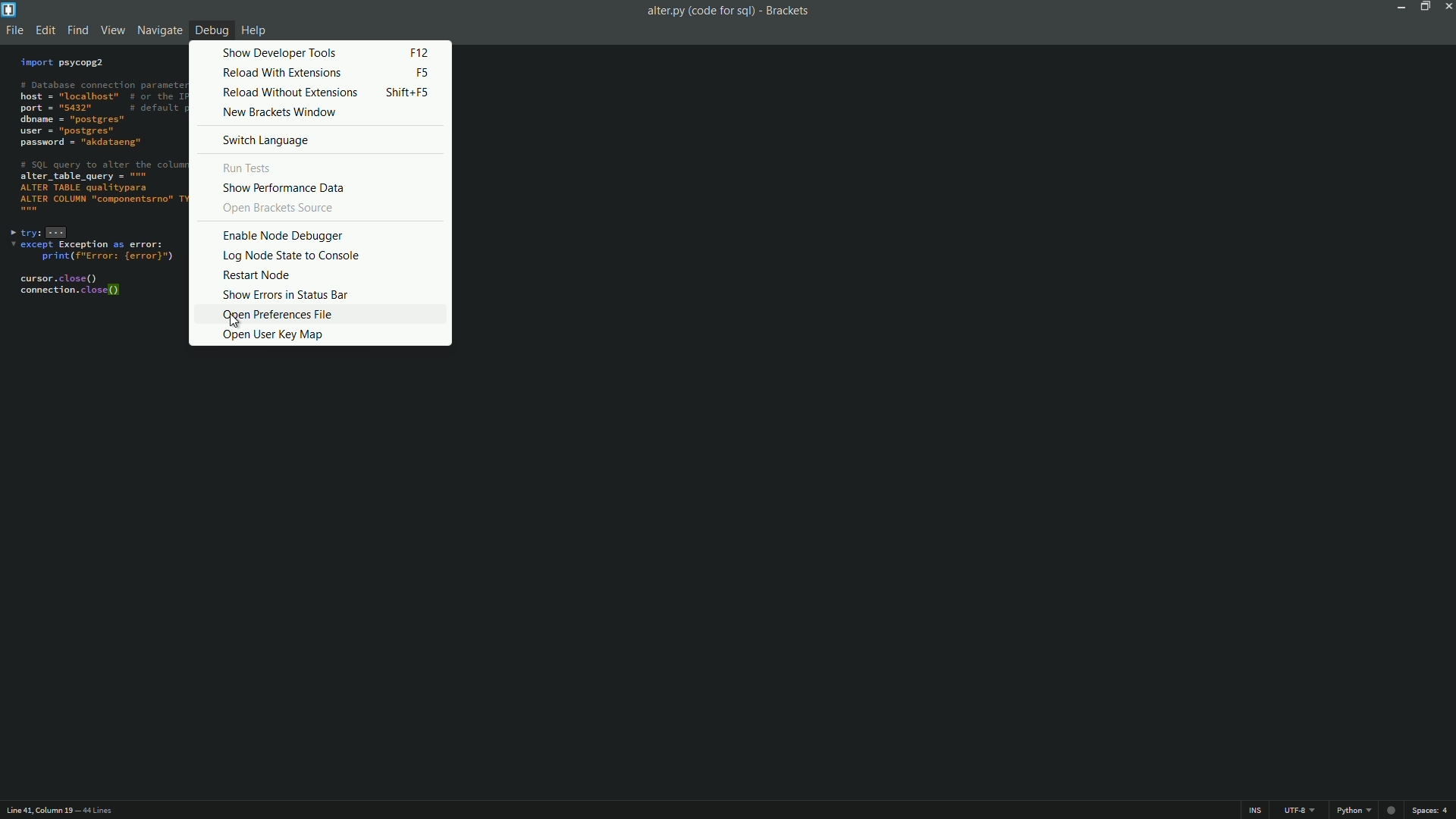 This screenshot has height=819, width=1456. I want to click on App icon, so click(11, 10).